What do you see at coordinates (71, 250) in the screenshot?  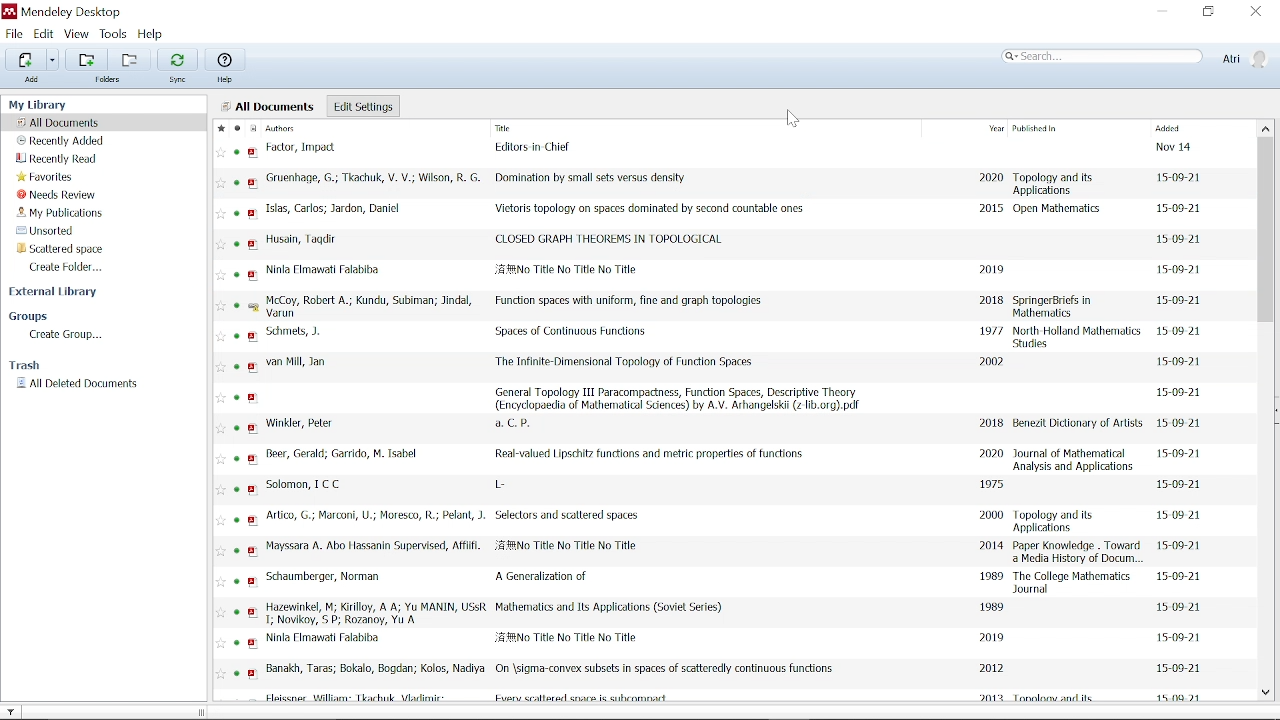 I see `Folder titled "Scattered space"` at bounding box center [71, 250].